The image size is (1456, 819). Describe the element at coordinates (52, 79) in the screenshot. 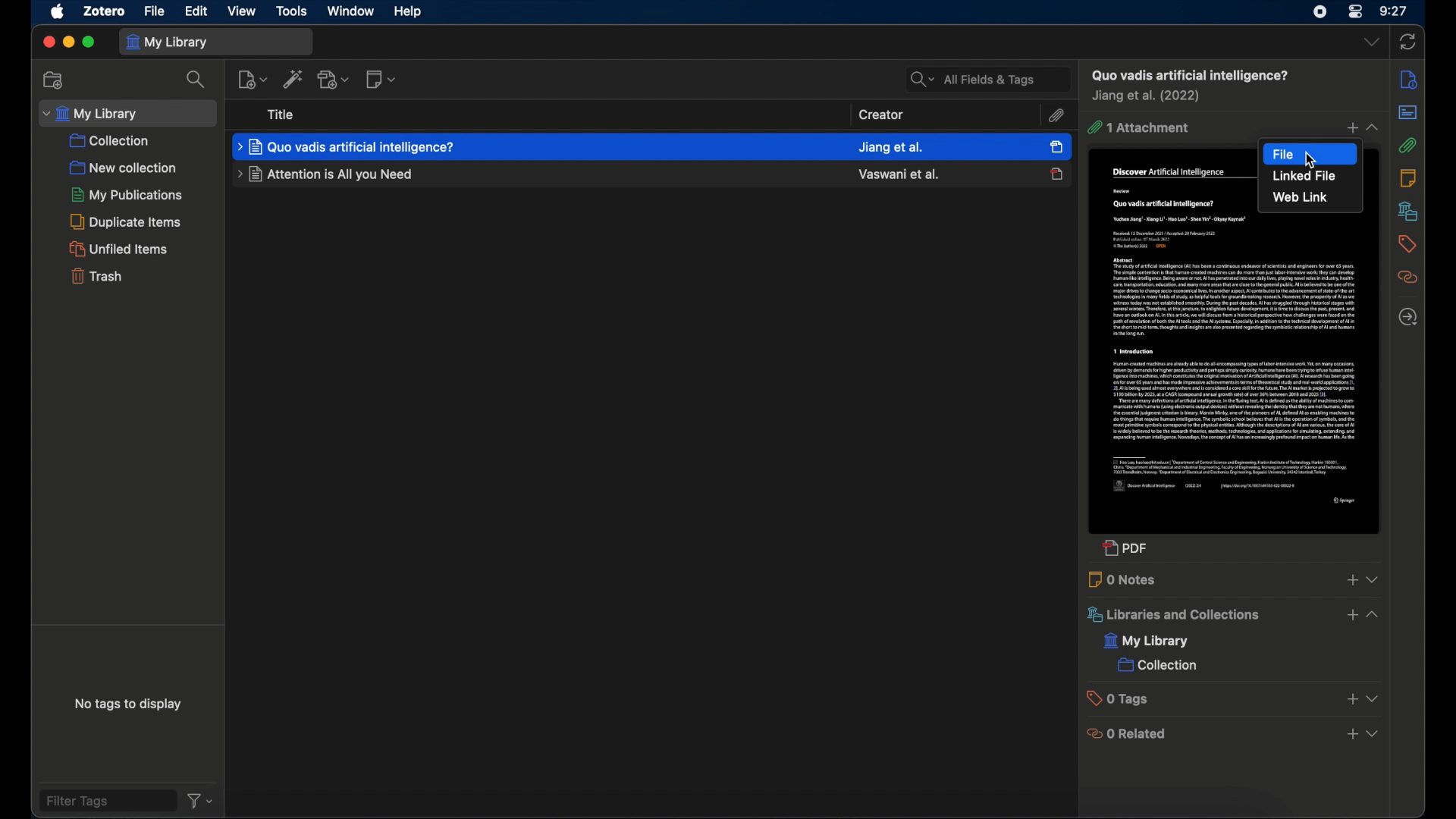

I see `new collection` at that location.